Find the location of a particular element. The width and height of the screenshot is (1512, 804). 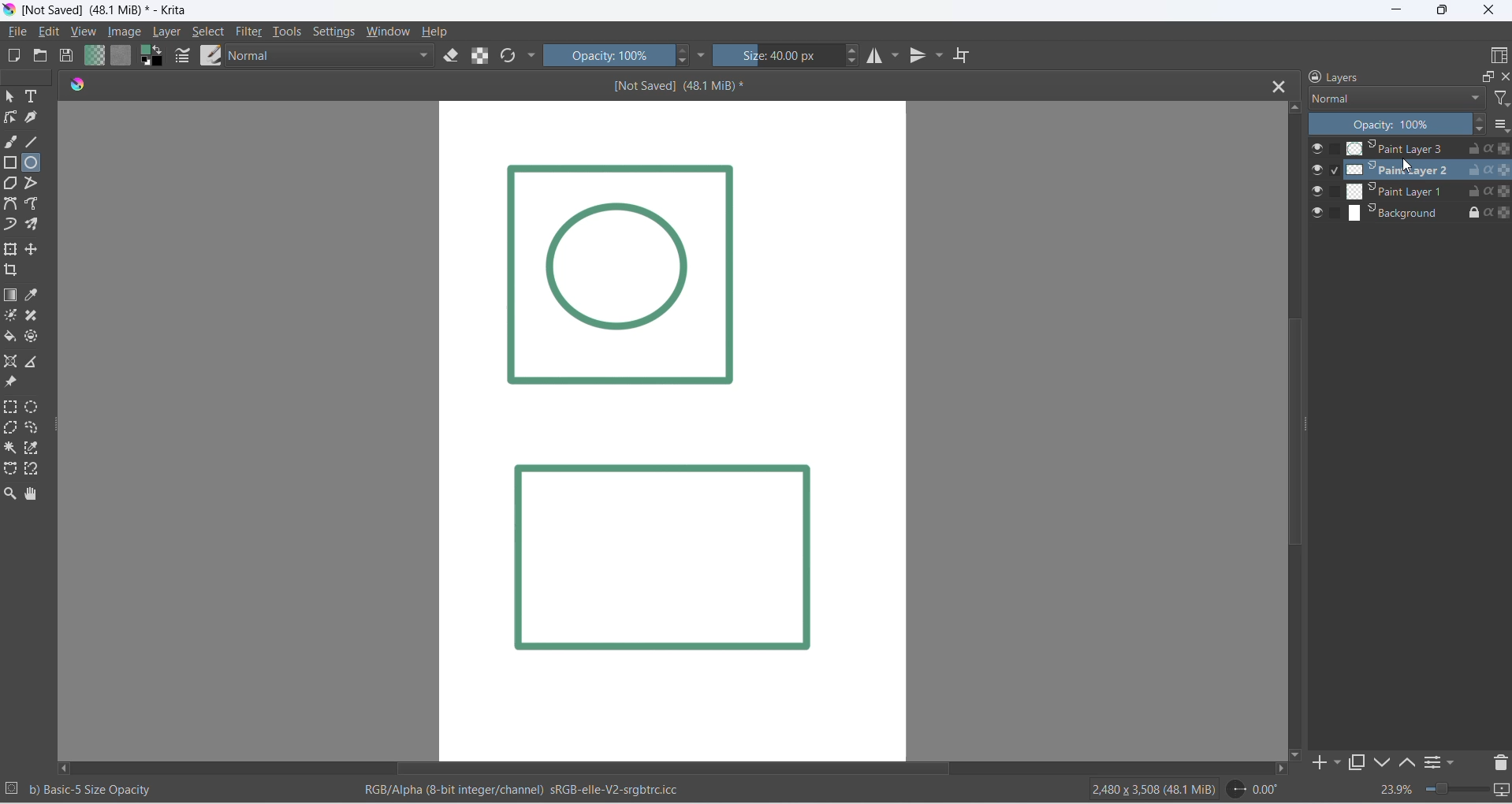

patch tool is located at coordinates (37, 315).